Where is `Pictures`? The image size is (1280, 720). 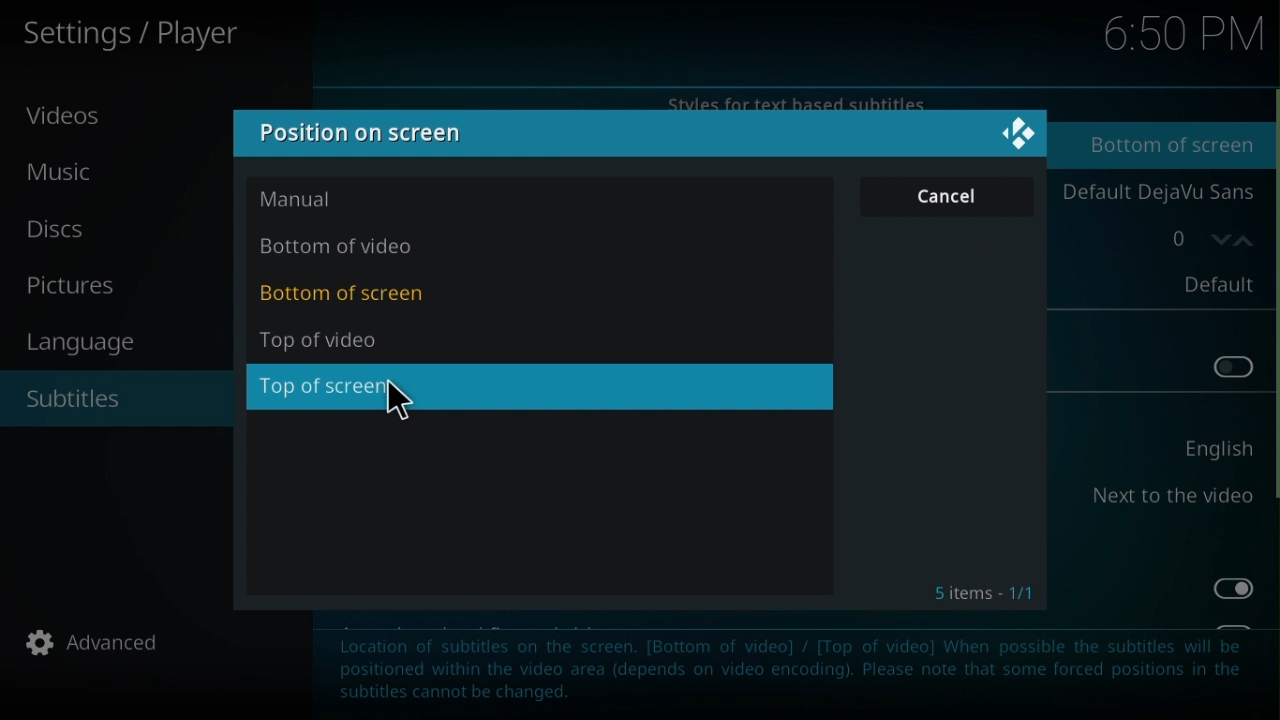 Pictures is located at coordinates (75, 284).